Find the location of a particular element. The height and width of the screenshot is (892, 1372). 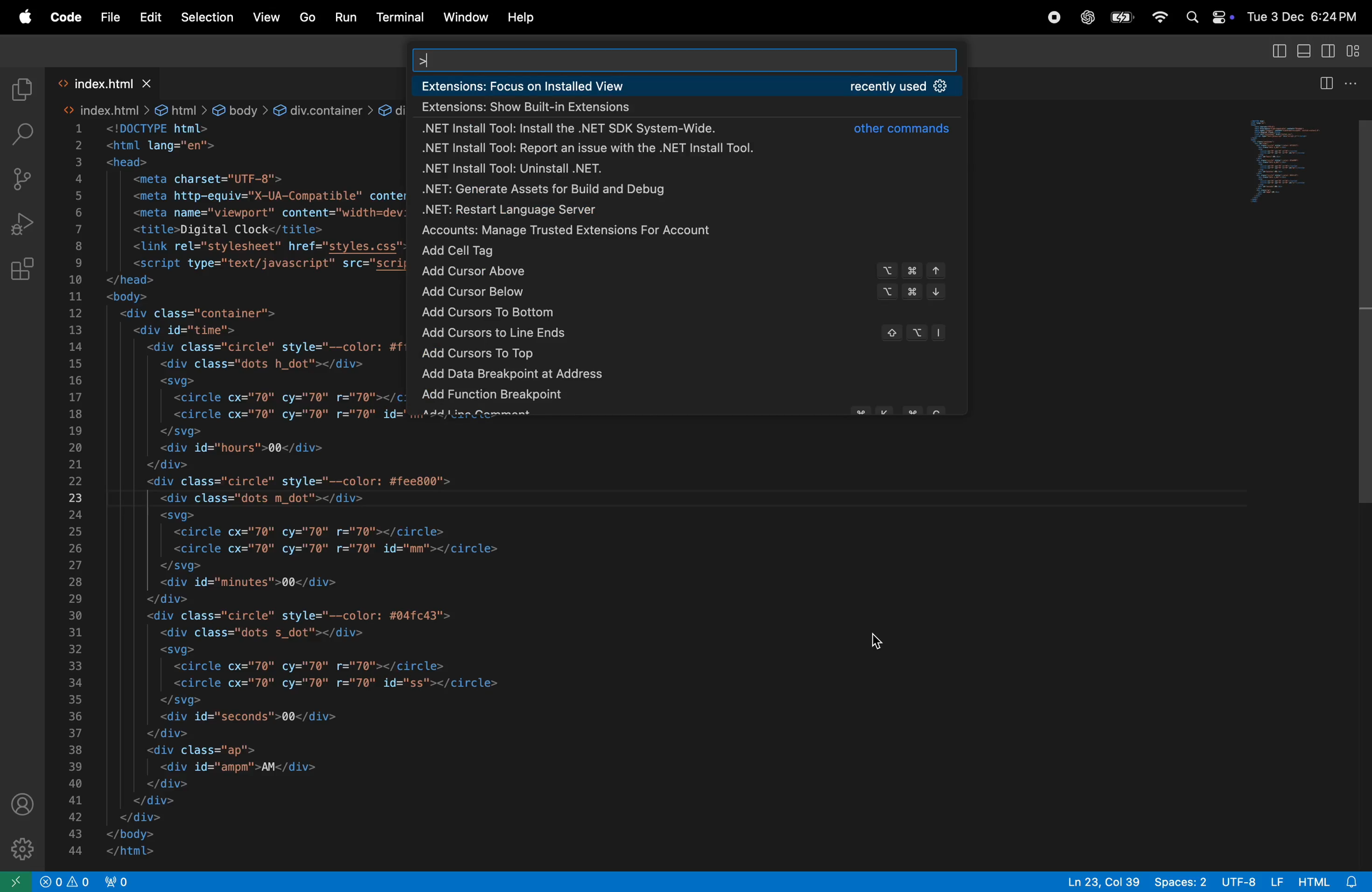

.net install tool is located at coordinates (691, 148).